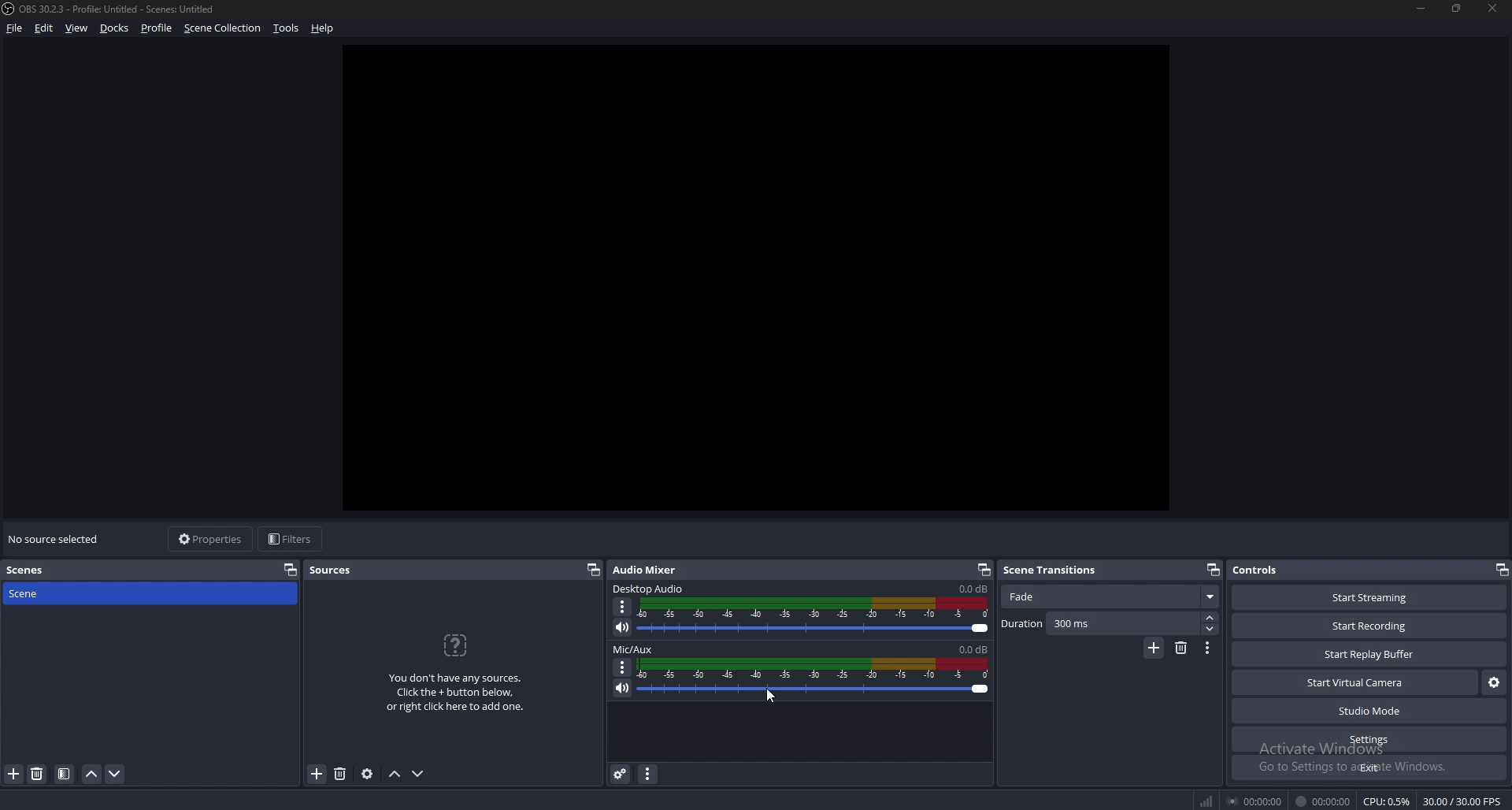 Image resolution: width=1512 pixels, height=810 pixels. I want to click on exit, so click(1369, 767).